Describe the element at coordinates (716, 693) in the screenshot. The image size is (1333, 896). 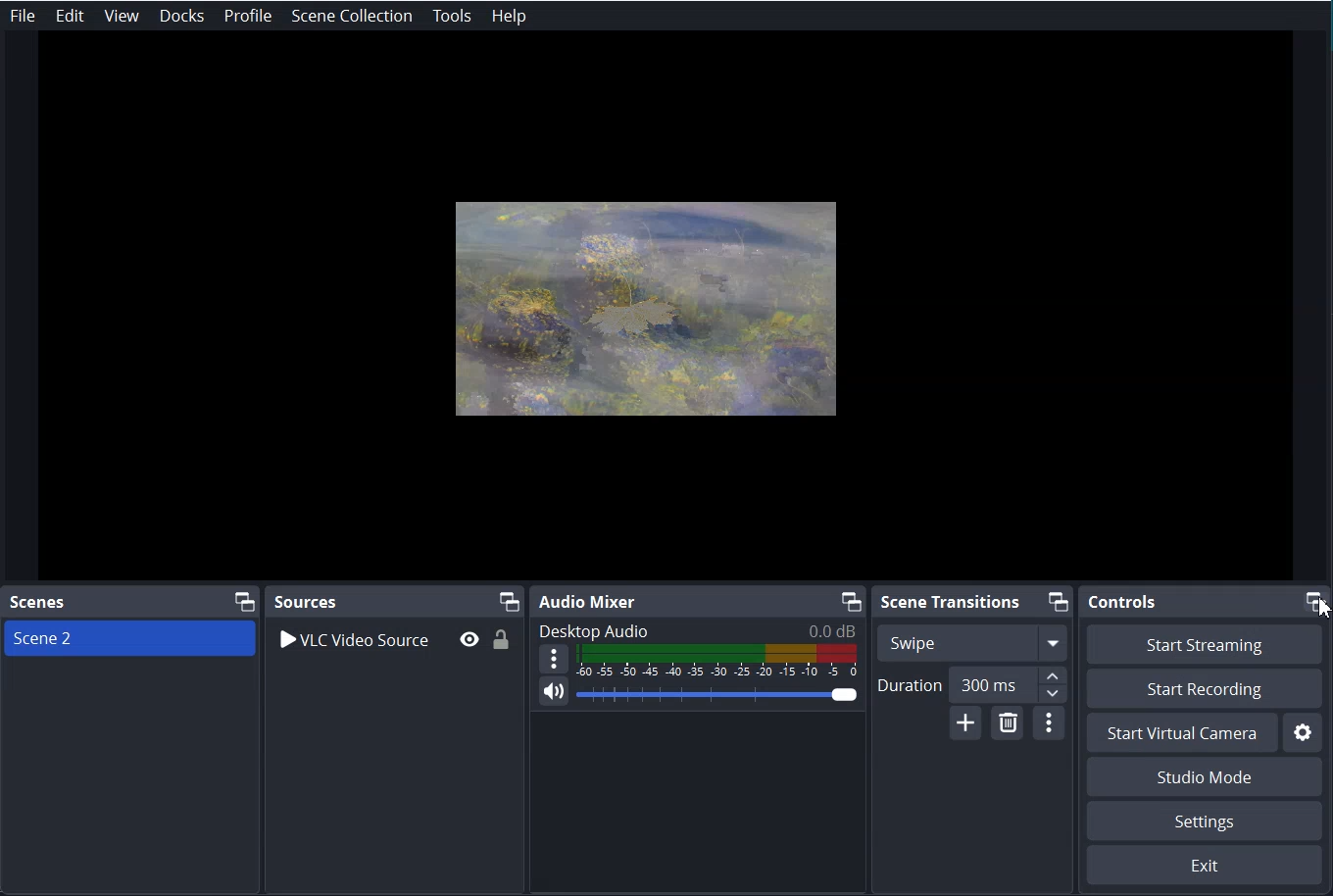
I see `Volume Adjuster` at that location.